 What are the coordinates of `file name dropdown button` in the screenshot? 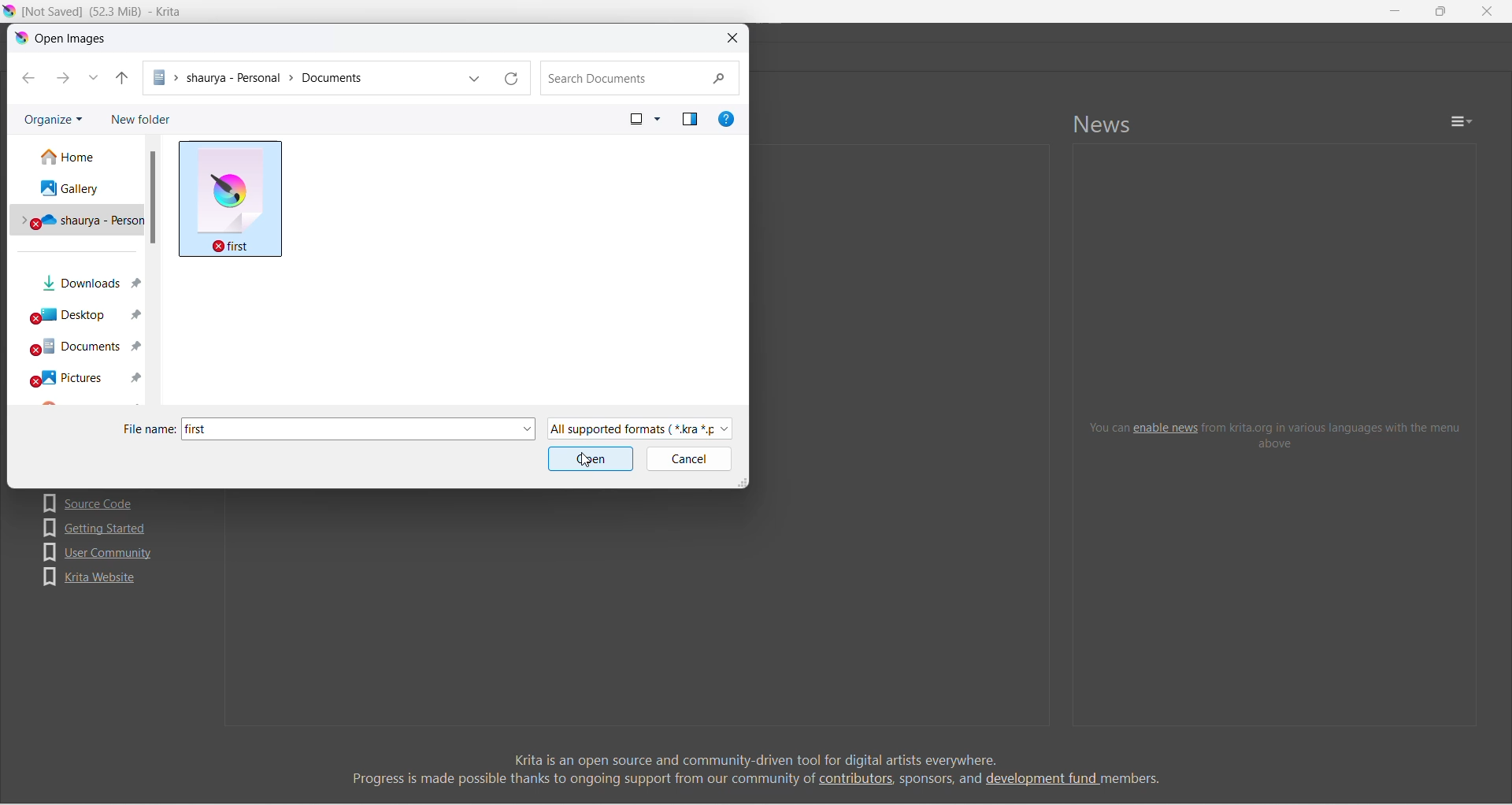 It's located at (527, 429).